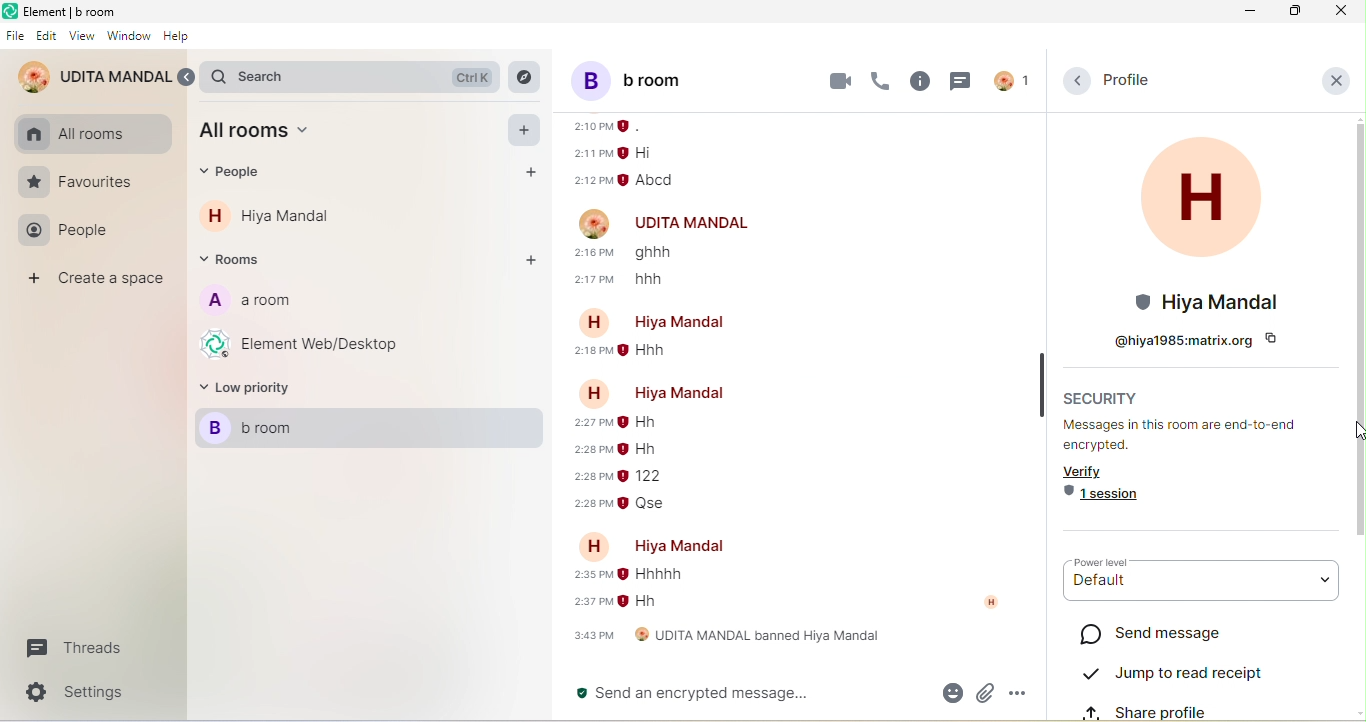  What do you see at coordinates (1103, 396) in the screenshot?
I see `security` at bounding box center [1103, 396].